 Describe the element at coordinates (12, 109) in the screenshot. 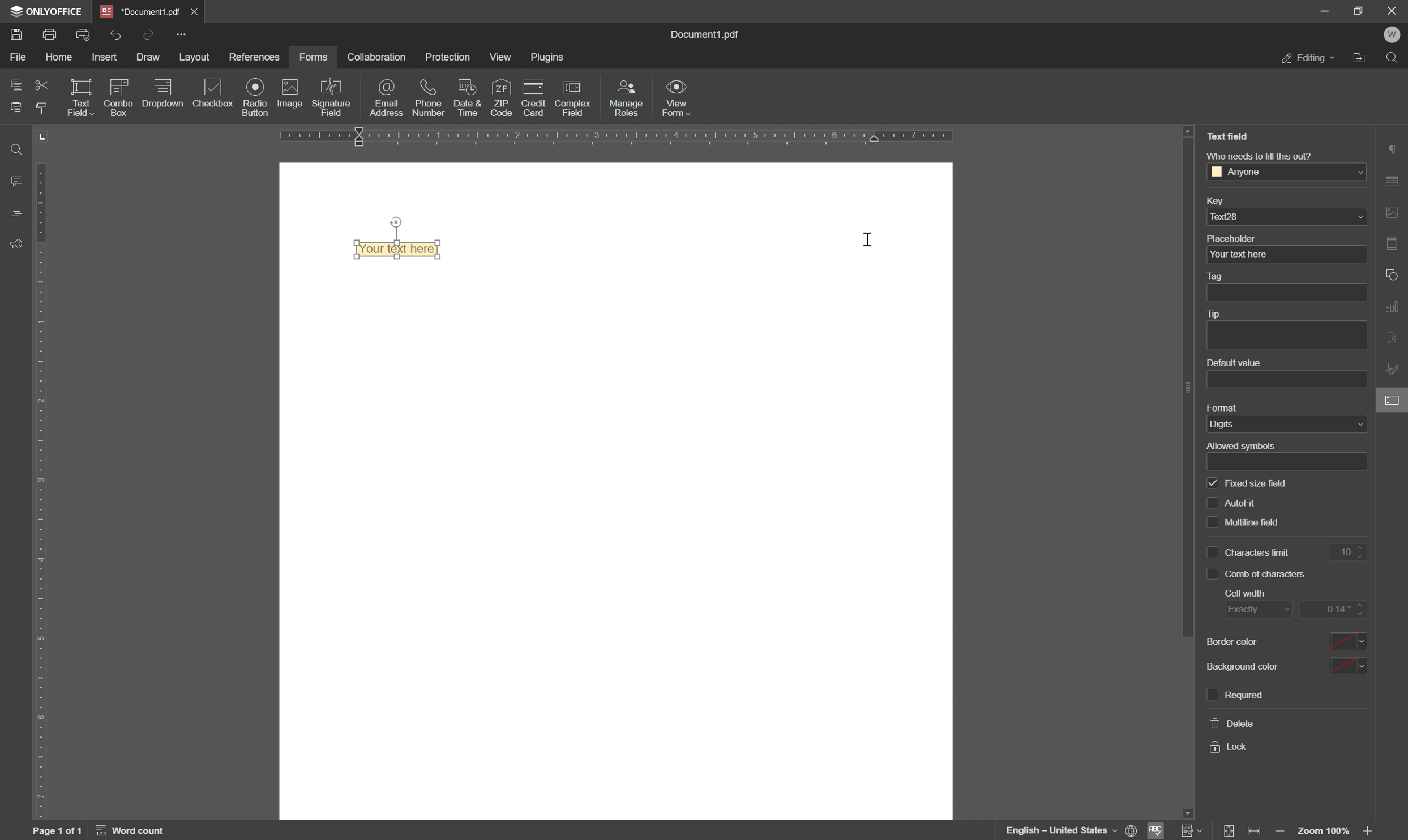

I see `paste` at that location.